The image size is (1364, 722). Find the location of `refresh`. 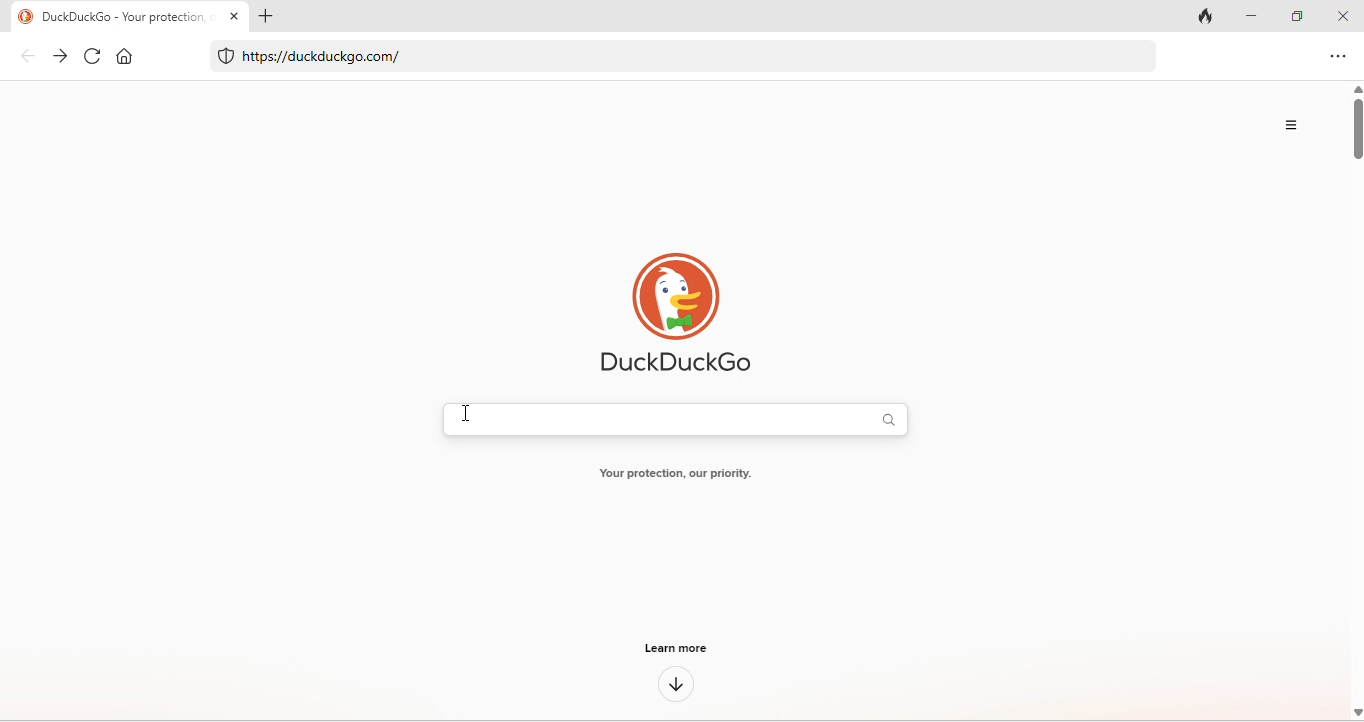

refresh is located at coordinates (93, 55).